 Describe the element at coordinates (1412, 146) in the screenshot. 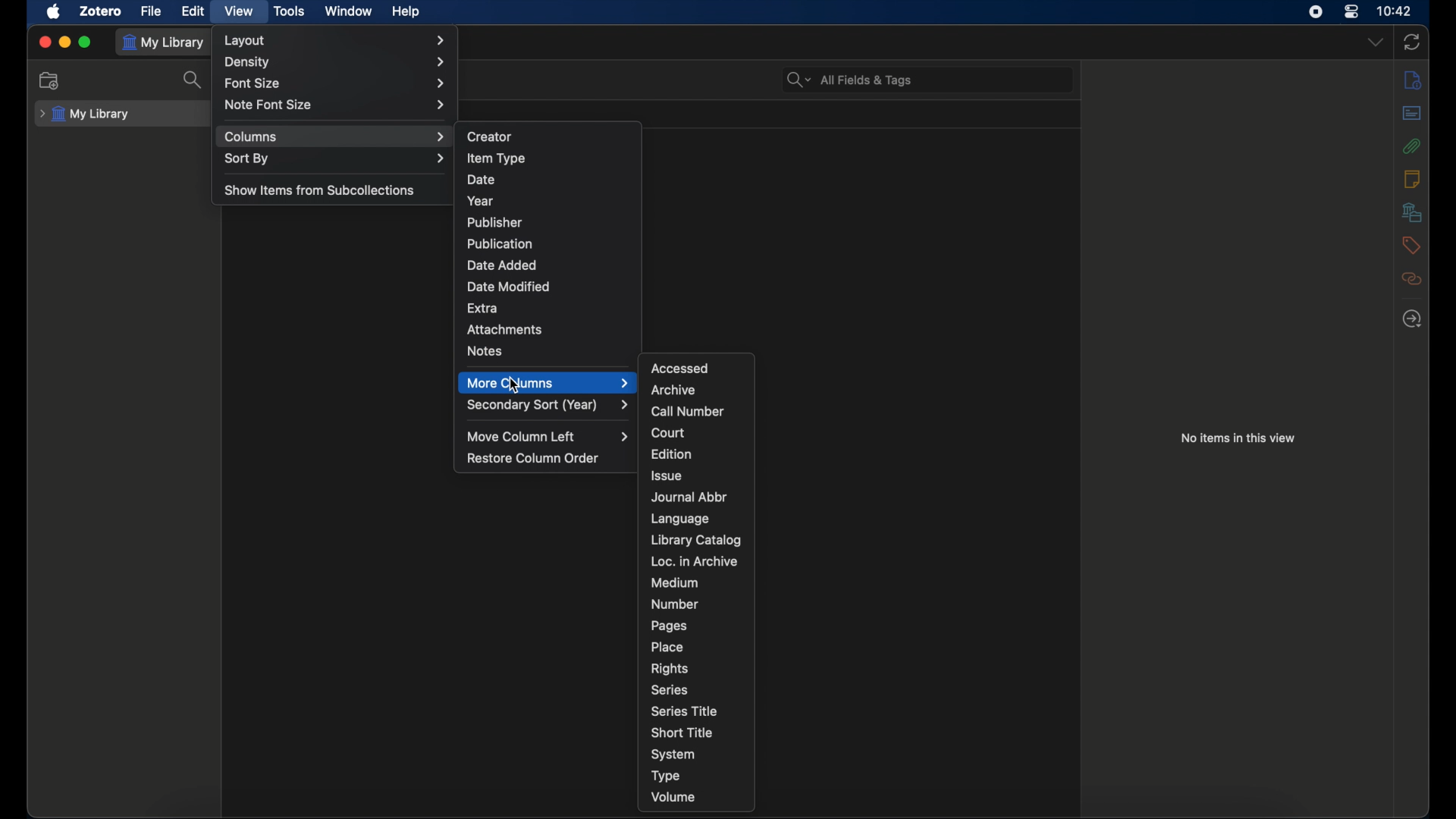

I see `attachments` at that location.